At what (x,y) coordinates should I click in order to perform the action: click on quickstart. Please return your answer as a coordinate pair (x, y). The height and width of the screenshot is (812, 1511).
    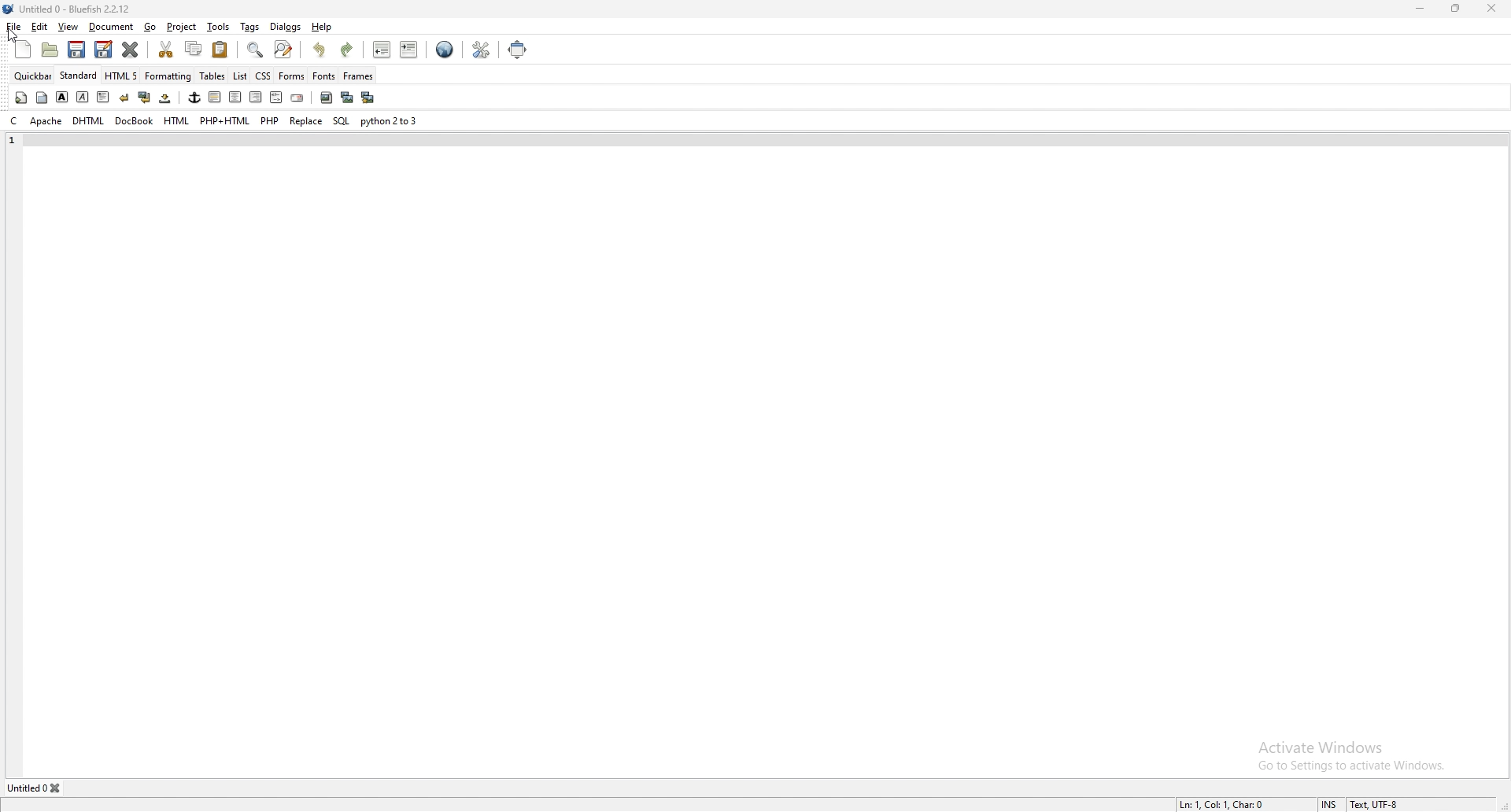
    Looking at the image, I should click on (20, 98).